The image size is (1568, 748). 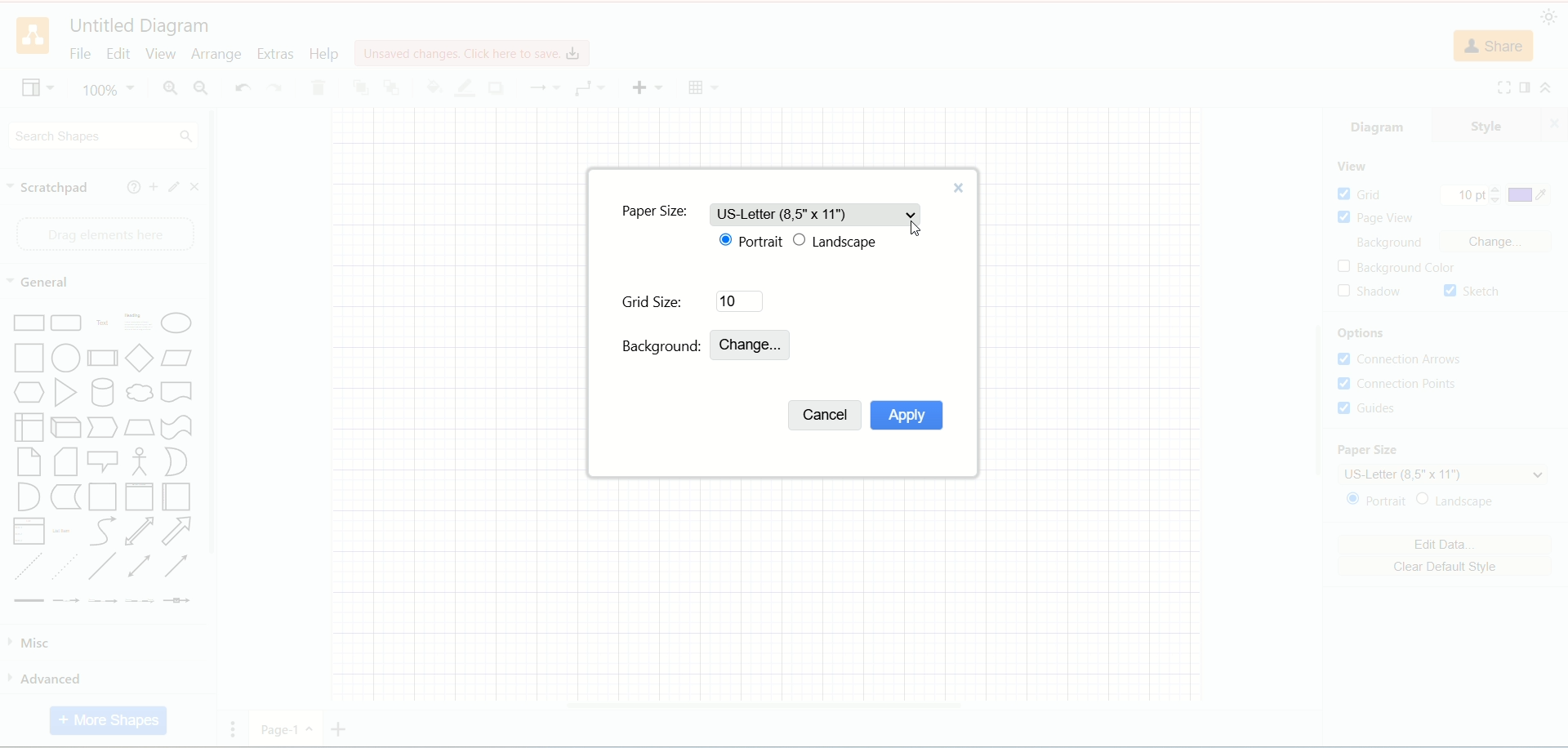 I want to click on add page, so click(x=344, y=728).